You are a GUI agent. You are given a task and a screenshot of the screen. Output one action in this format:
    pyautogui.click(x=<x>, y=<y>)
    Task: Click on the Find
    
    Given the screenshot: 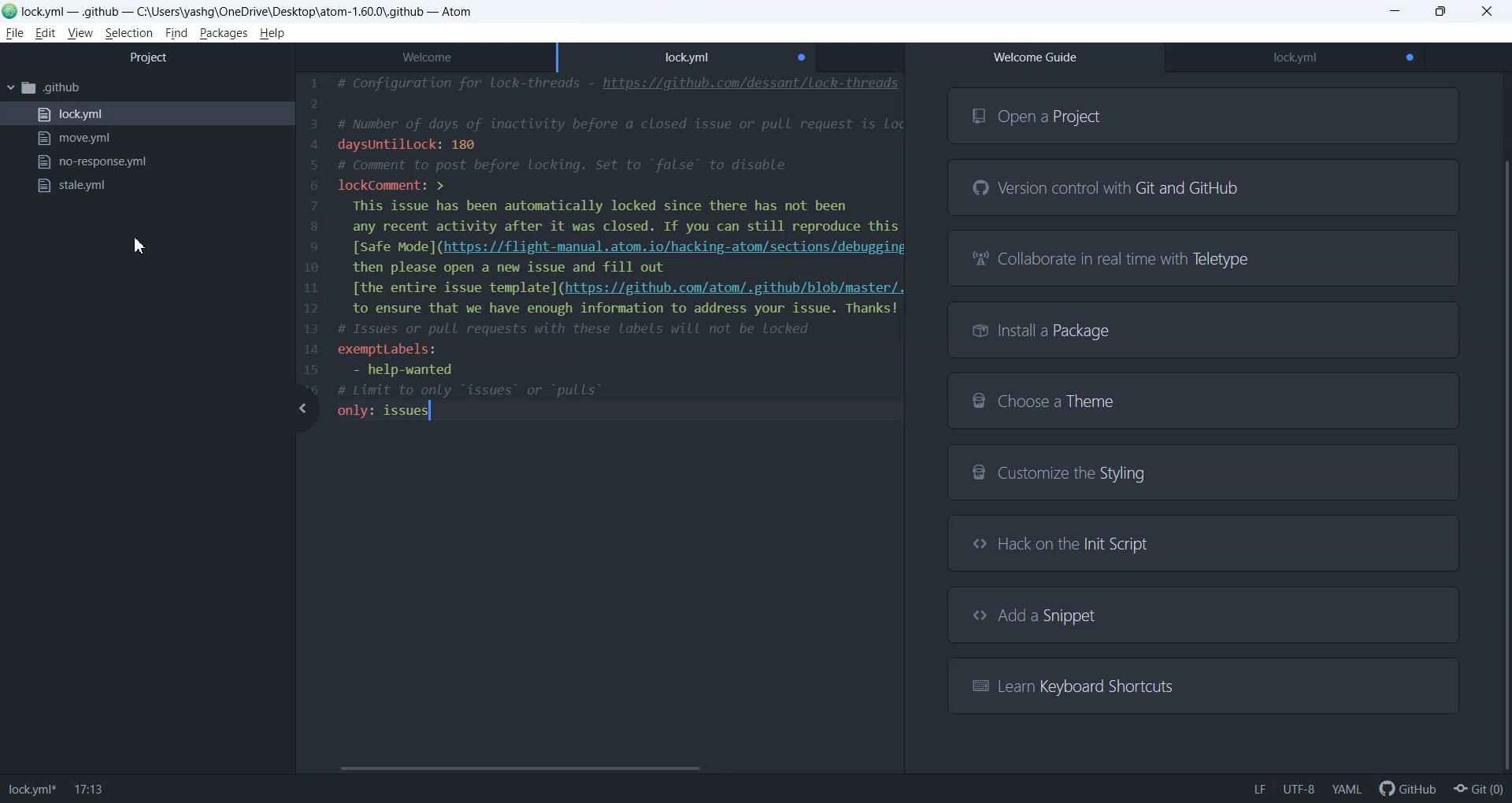 What is the action you would take?
    pyautogui.click(x=176, y=34)
    